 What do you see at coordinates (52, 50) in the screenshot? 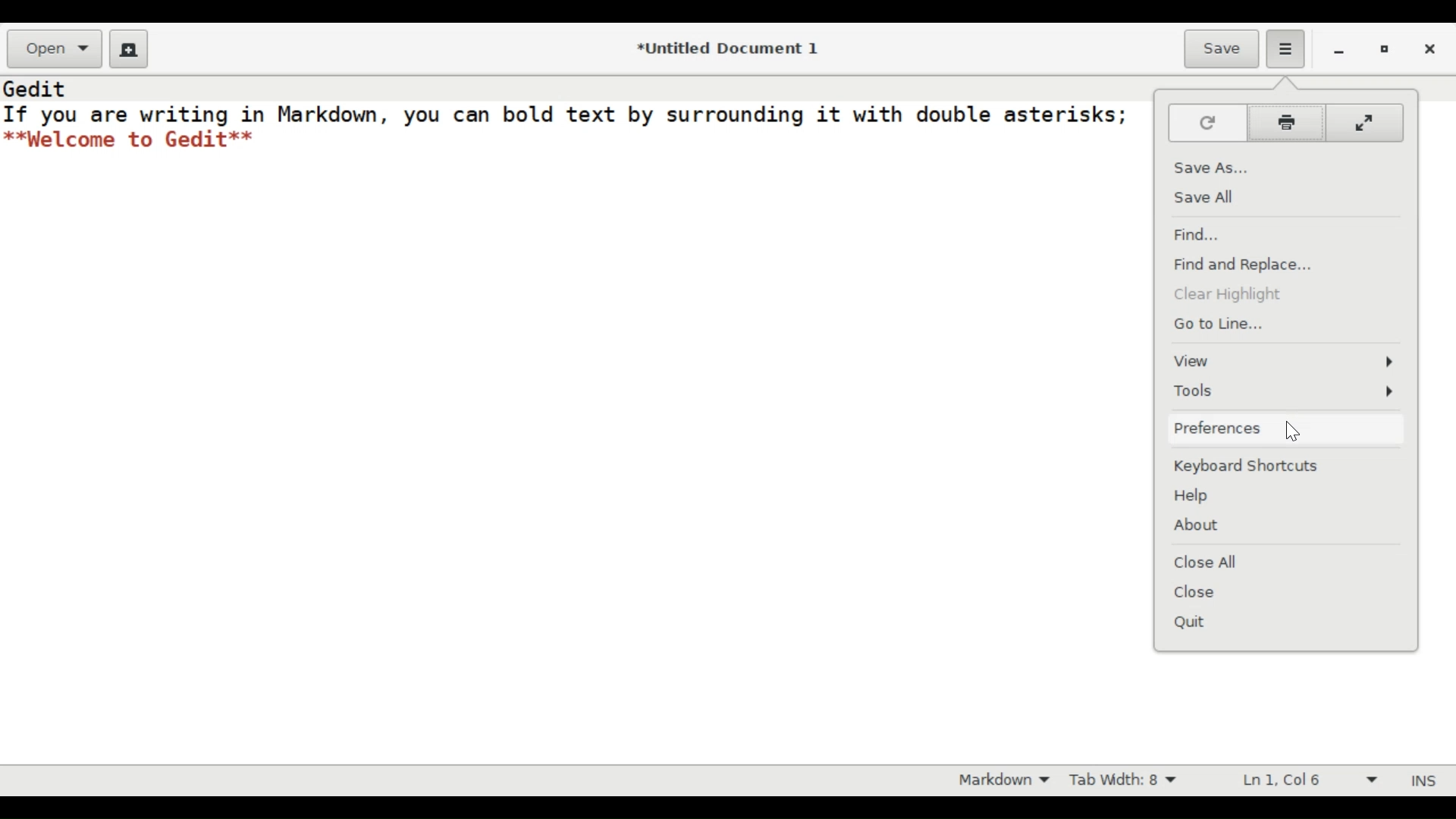
I see `Open` at bounding box center [52, 50].